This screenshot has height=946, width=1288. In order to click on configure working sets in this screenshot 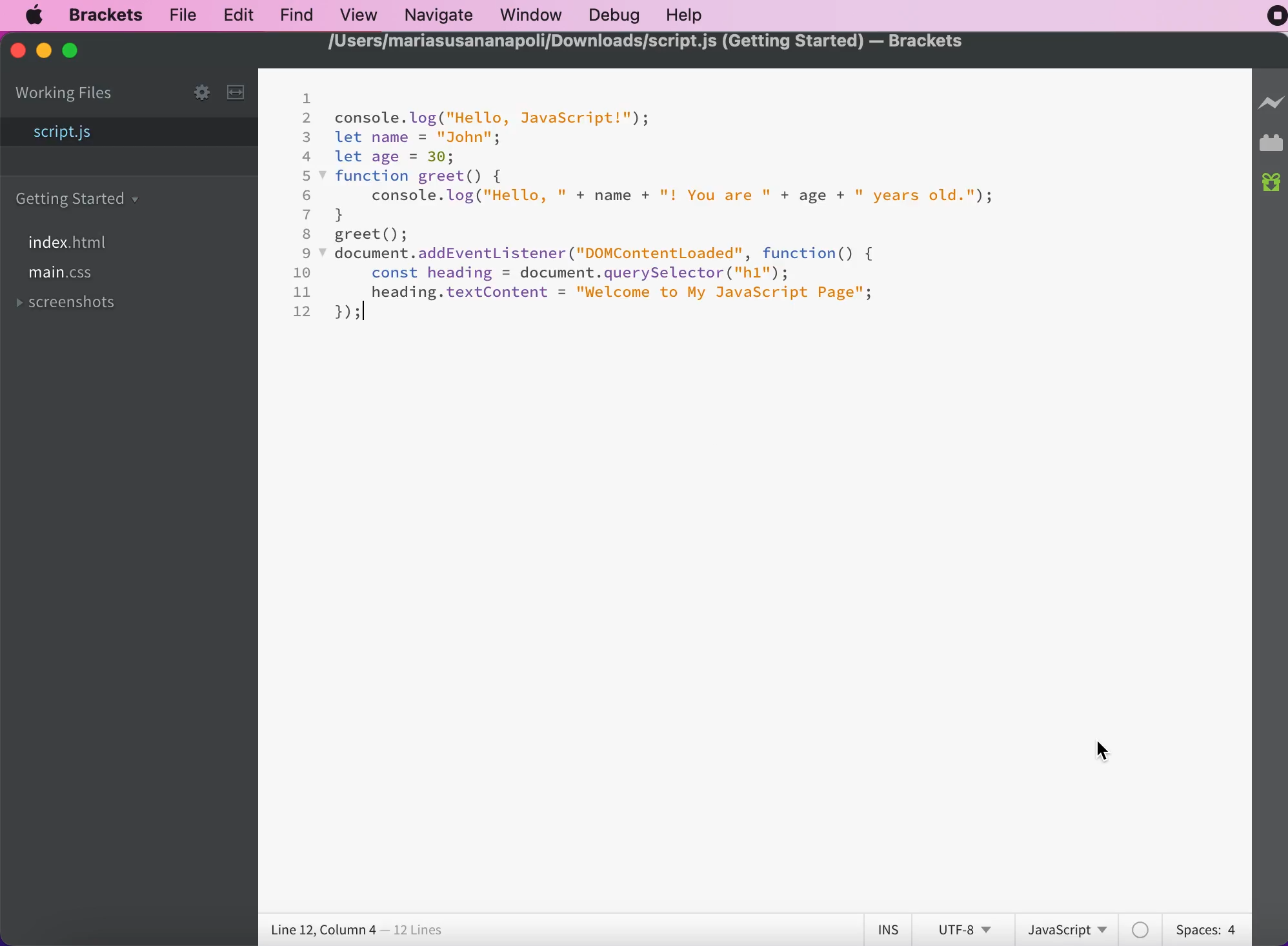, I will do `click(190, 92)`.